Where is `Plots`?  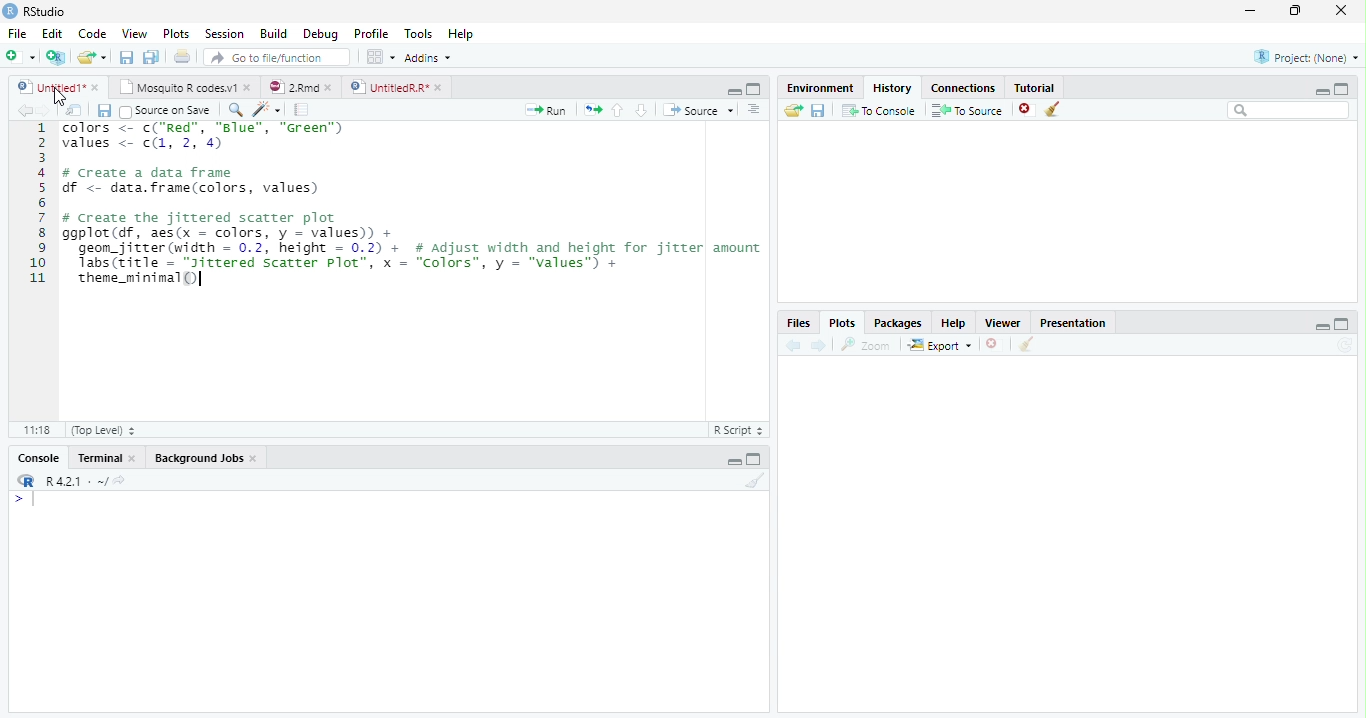
Plots is located at coordinates (842, 323).